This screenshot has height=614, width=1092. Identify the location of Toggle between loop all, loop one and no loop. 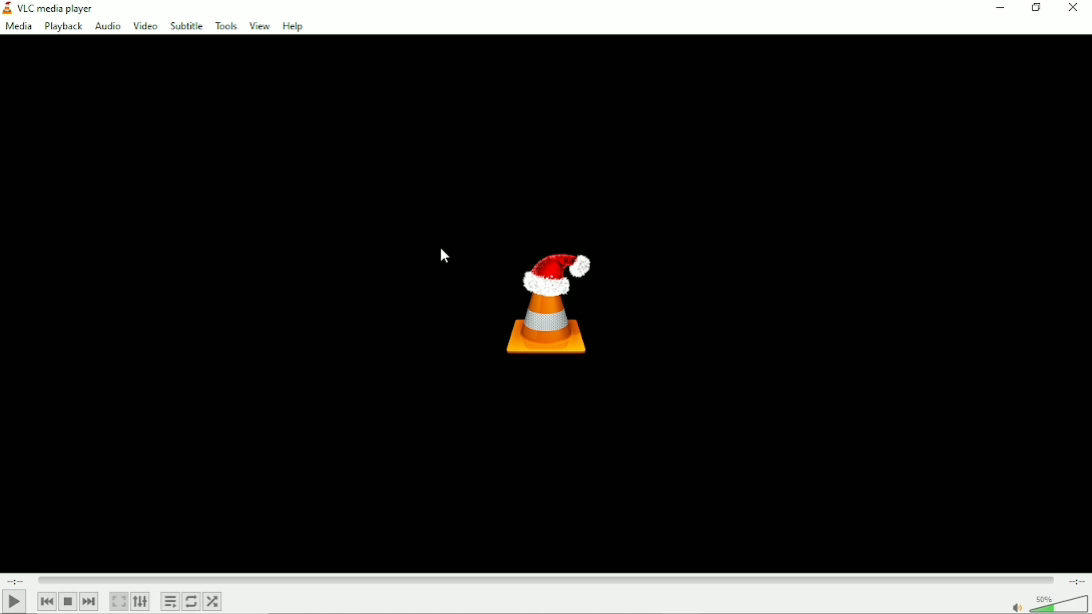
(190, 602).